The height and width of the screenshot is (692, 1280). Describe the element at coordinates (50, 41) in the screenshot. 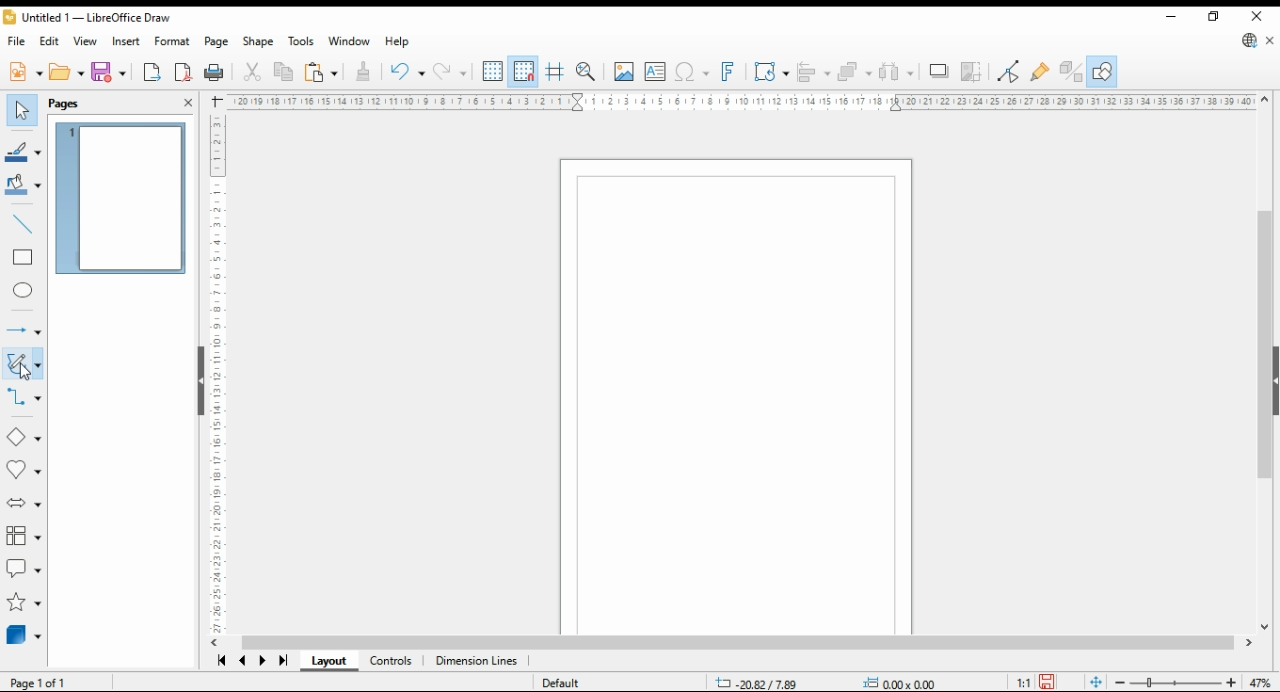

I see `edit` at that location.